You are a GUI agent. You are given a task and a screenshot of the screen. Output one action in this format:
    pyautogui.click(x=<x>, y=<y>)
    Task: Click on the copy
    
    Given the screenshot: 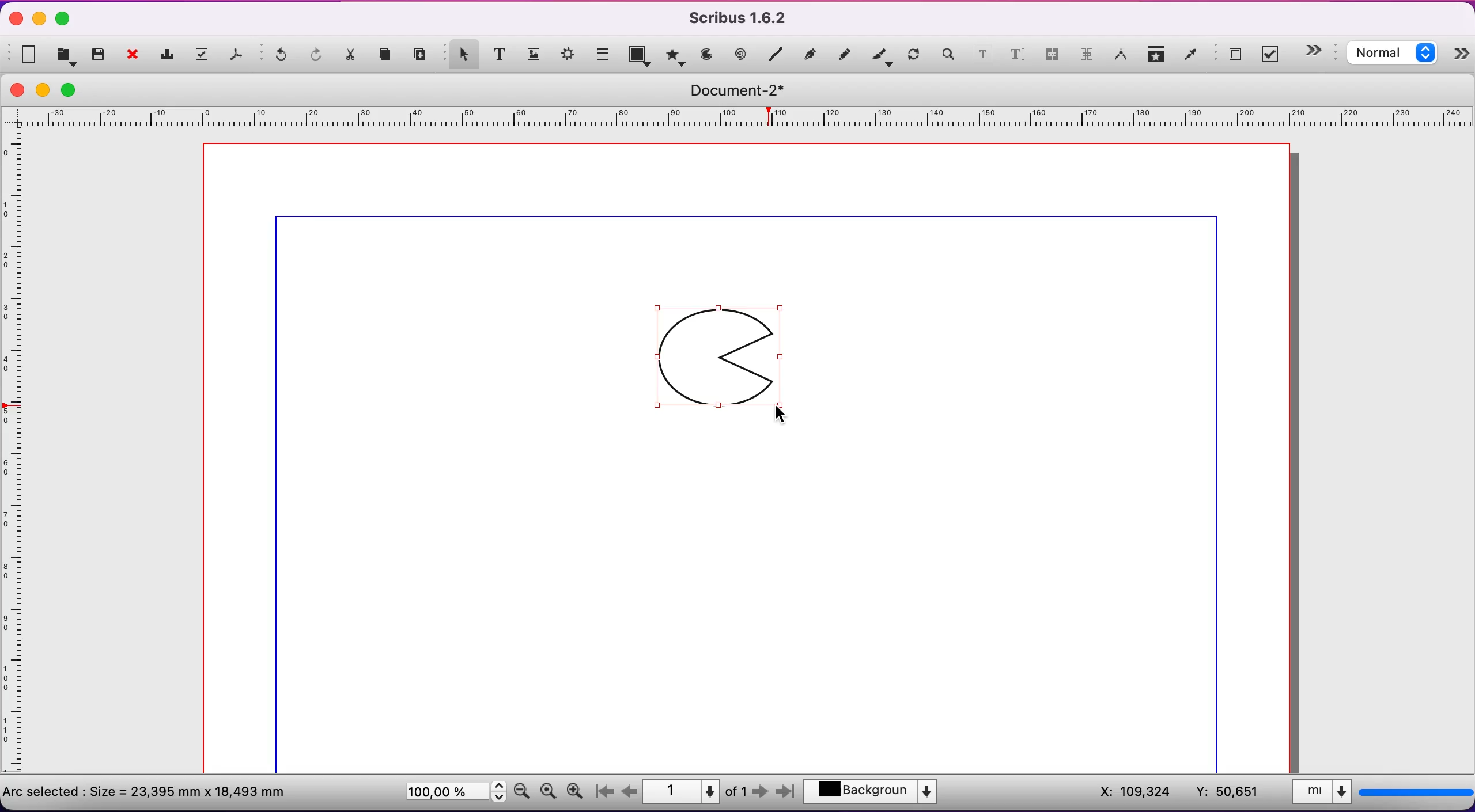 What is the action you would take?
    pyautogui.click(x=388, y=56)
    